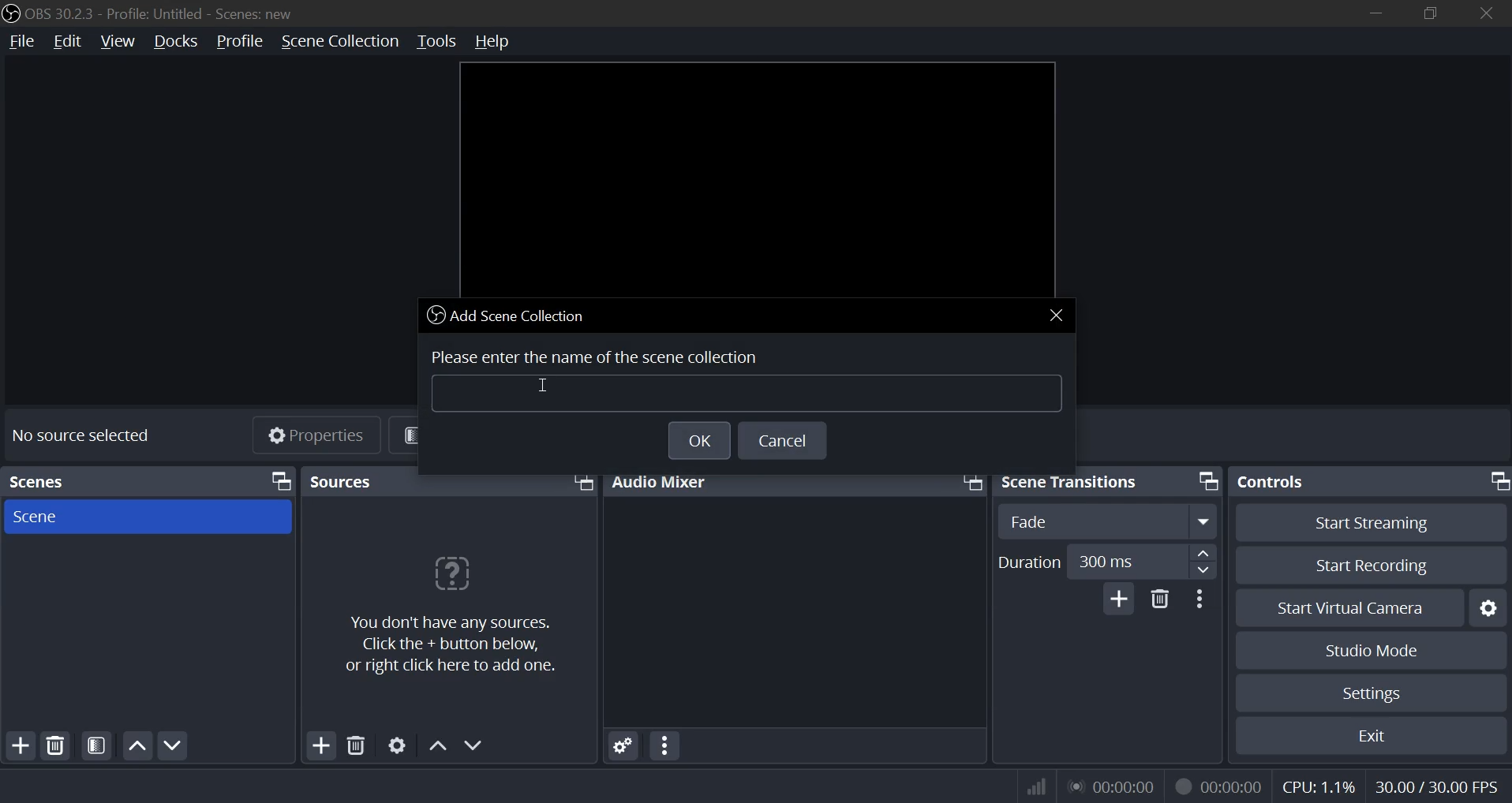 The height and width of the screenshot is (803, 1512). I want to click on docks, so click(175, 43).